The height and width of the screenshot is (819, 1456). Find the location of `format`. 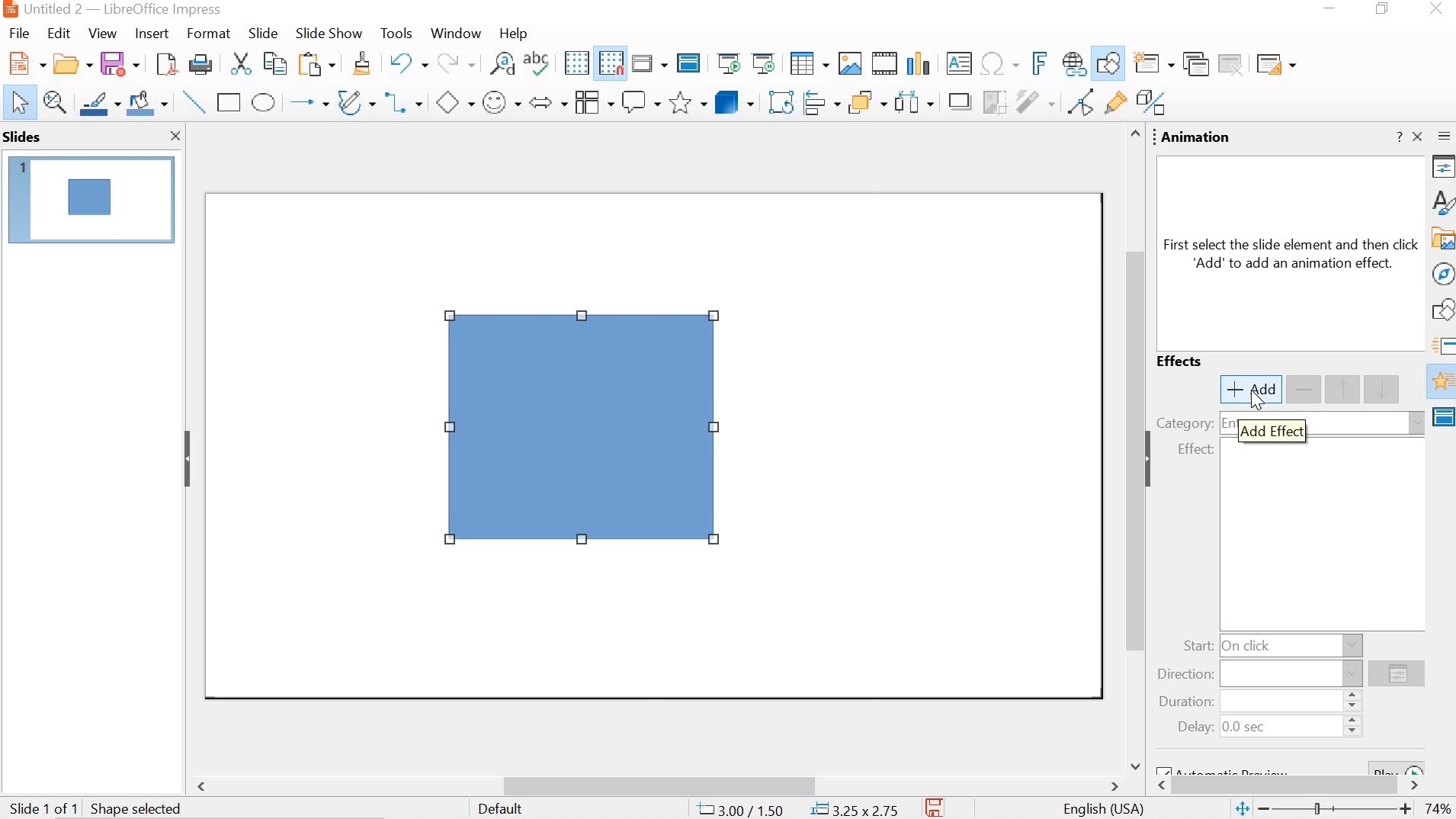

format is located at coordinates (207, 34).